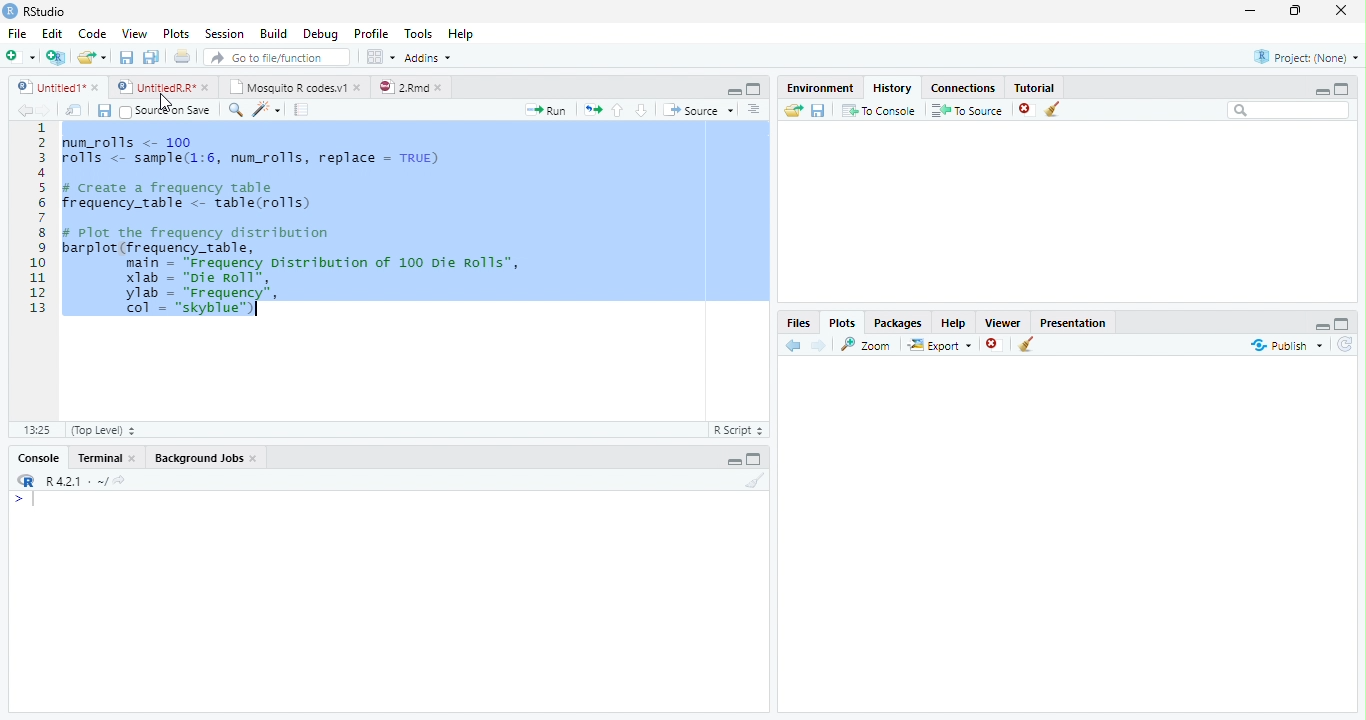 This screenshot has height=720, width=1366. I want to click on Clear, so click(1026, 344).